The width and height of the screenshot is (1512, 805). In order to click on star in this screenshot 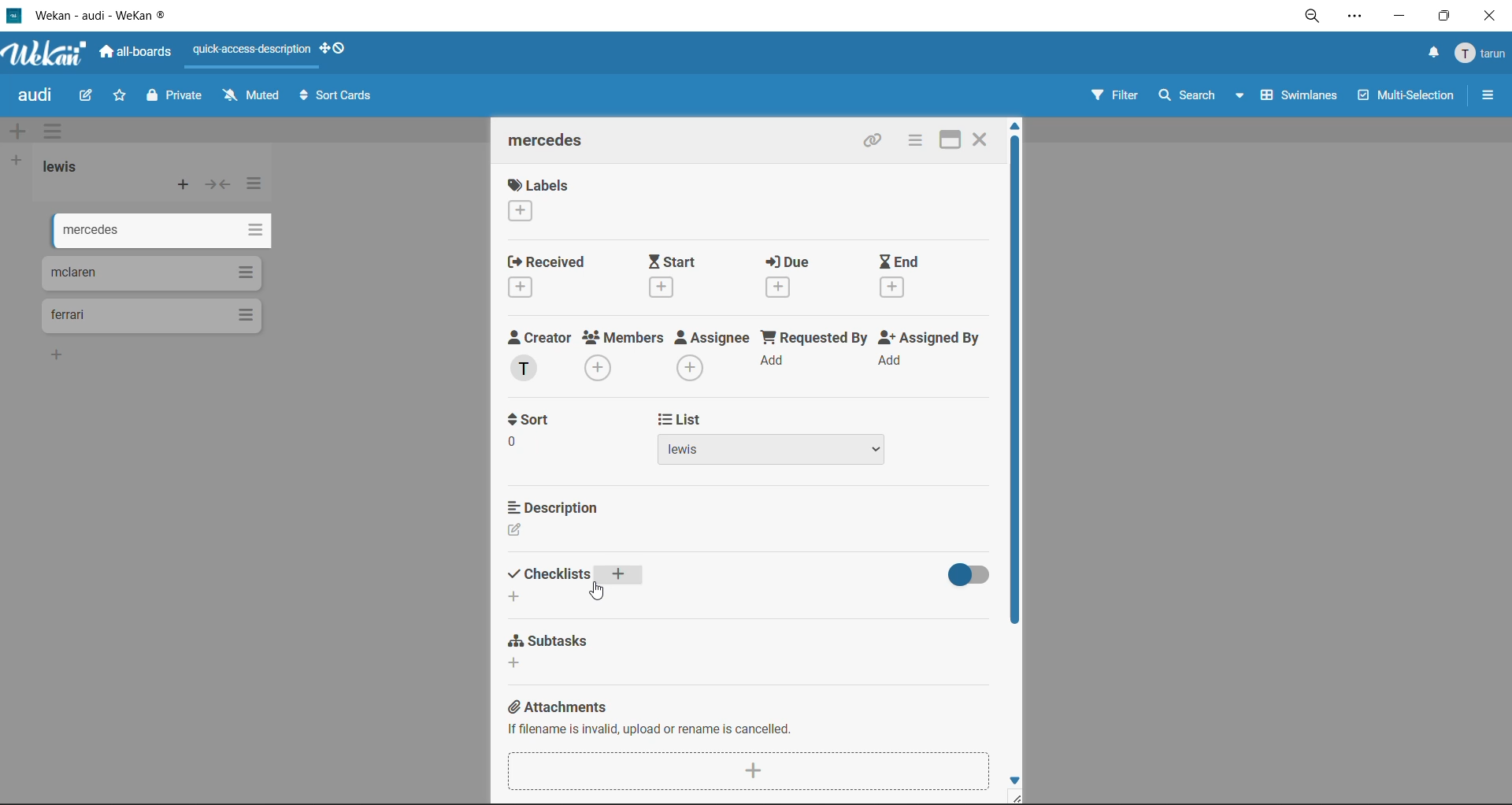, I will do `click(121, 99)`.